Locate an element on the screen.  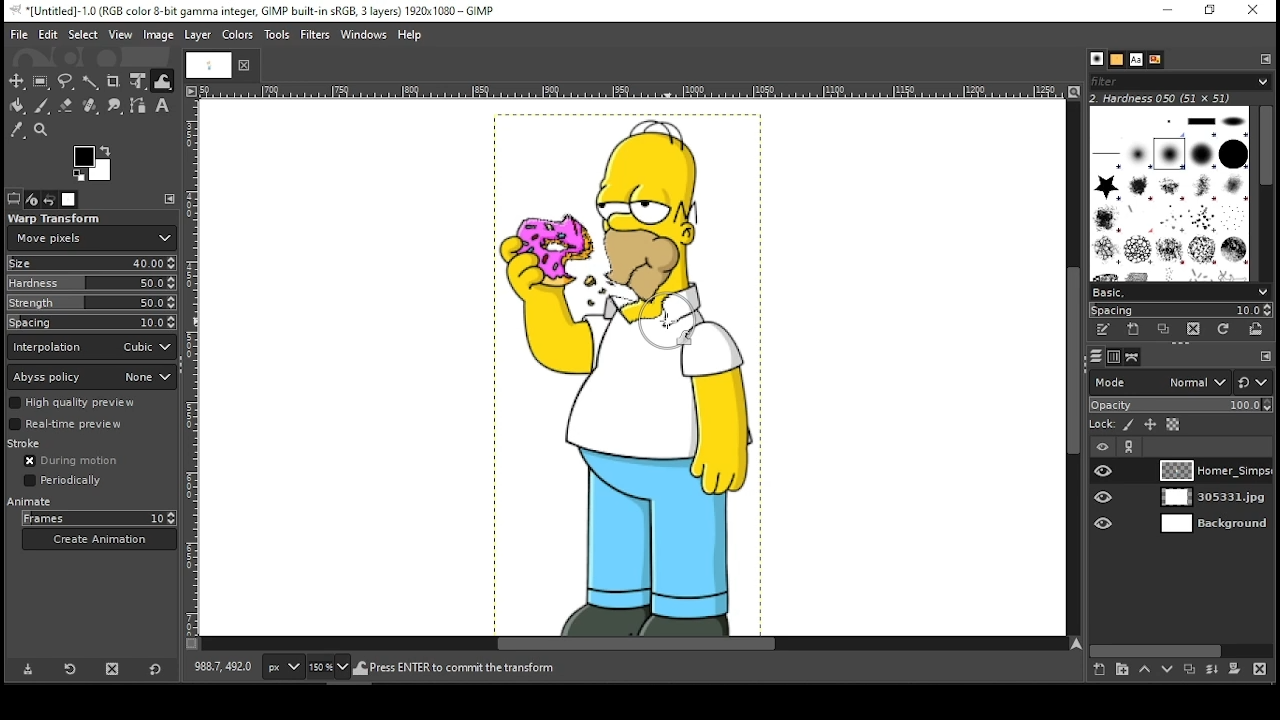
abyss policy is located at coordinates (92, 376).